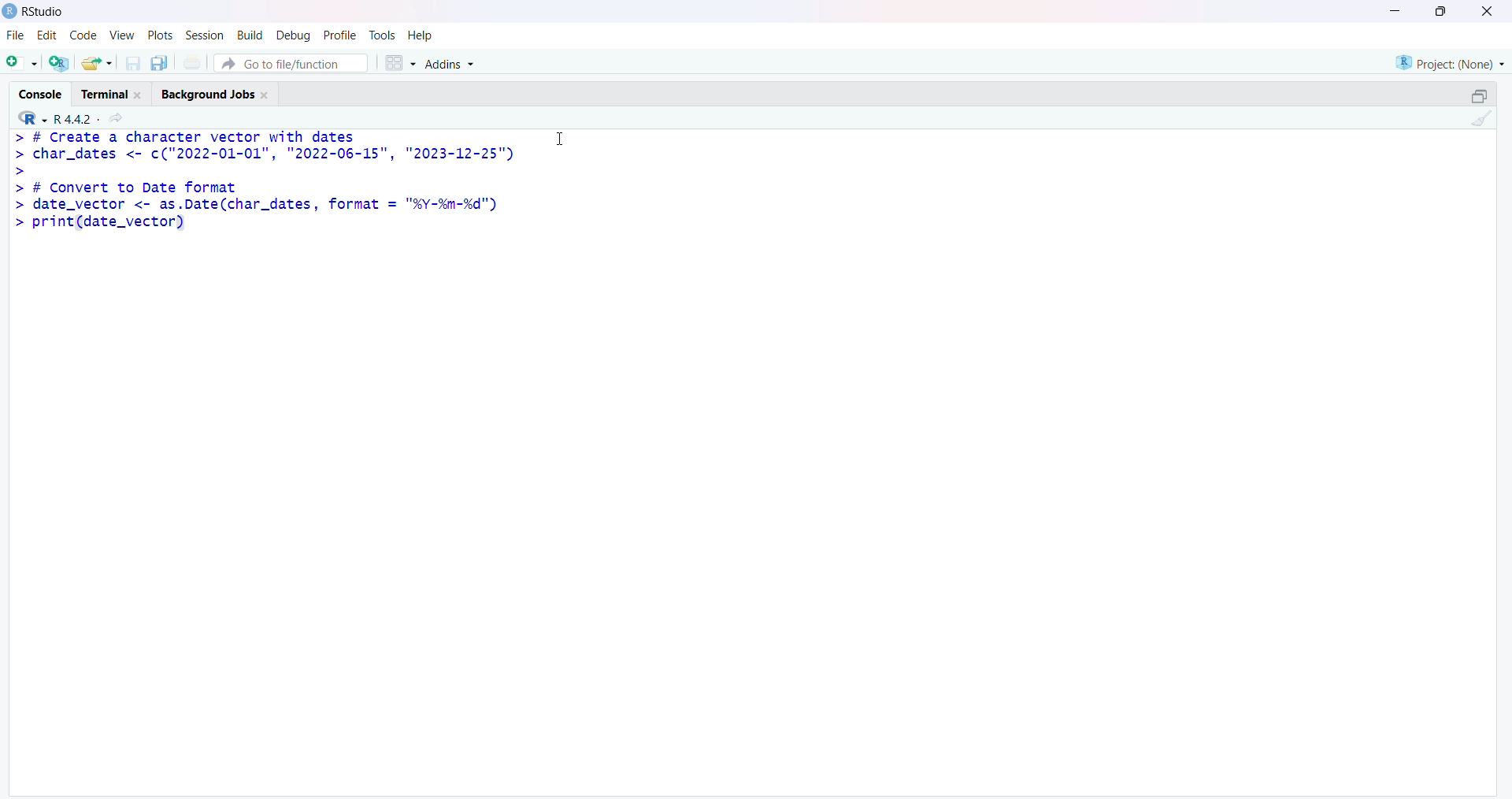  I want to click on Edit, so click(46, 39).